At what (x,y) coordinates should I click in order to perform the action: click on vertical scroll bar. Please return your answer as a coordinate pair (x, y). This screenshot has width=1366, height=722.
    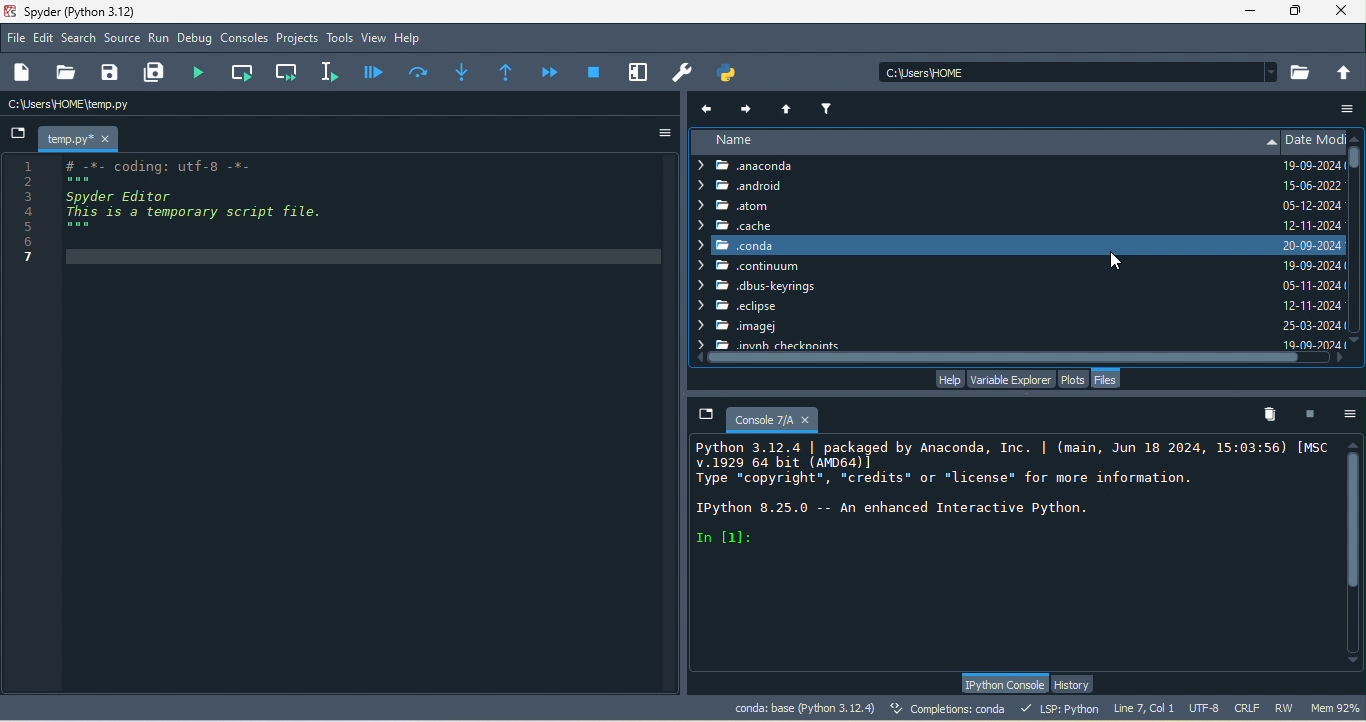
    Looking at the image, I should click on (1357, 173).